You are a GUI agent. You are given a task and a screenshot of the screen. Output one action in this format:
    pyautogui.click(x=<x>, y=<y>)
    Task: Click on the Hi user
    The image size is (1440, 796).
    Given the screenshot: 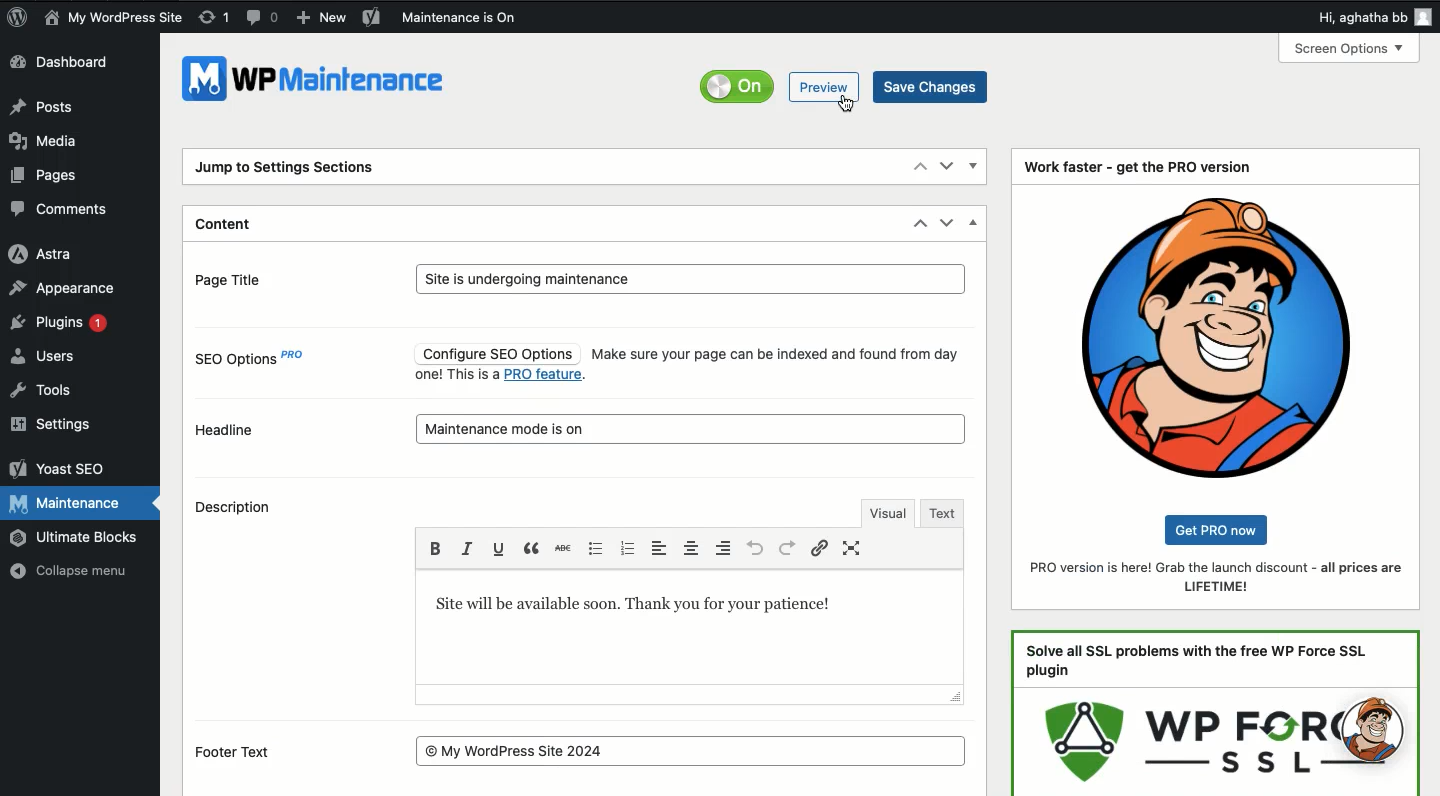 What is the action you would take?
    pyautogui.click(x=1372, y=14)
    